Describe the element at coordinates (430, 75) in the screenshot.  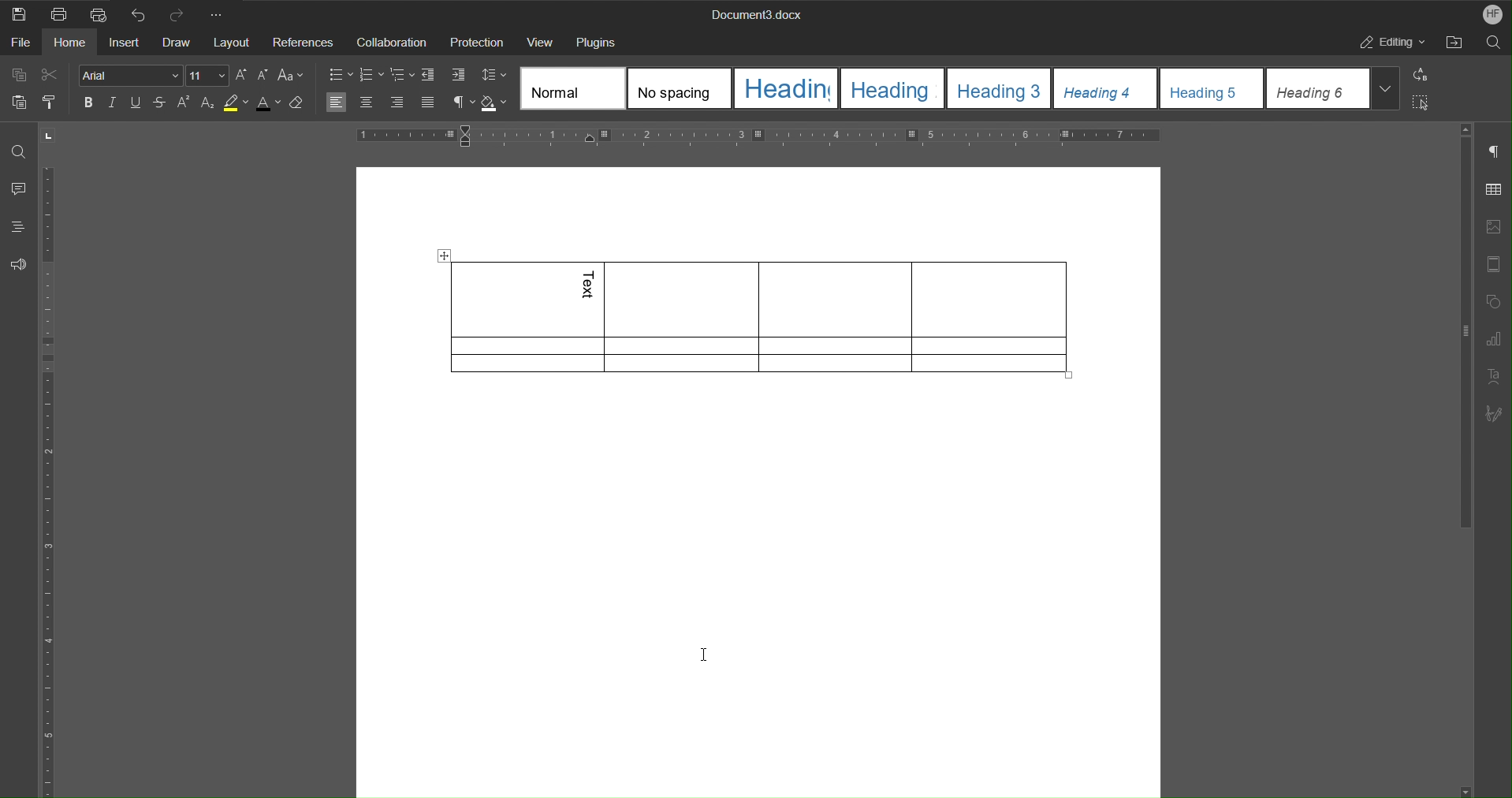
I see `Decrease Indent` at that location.